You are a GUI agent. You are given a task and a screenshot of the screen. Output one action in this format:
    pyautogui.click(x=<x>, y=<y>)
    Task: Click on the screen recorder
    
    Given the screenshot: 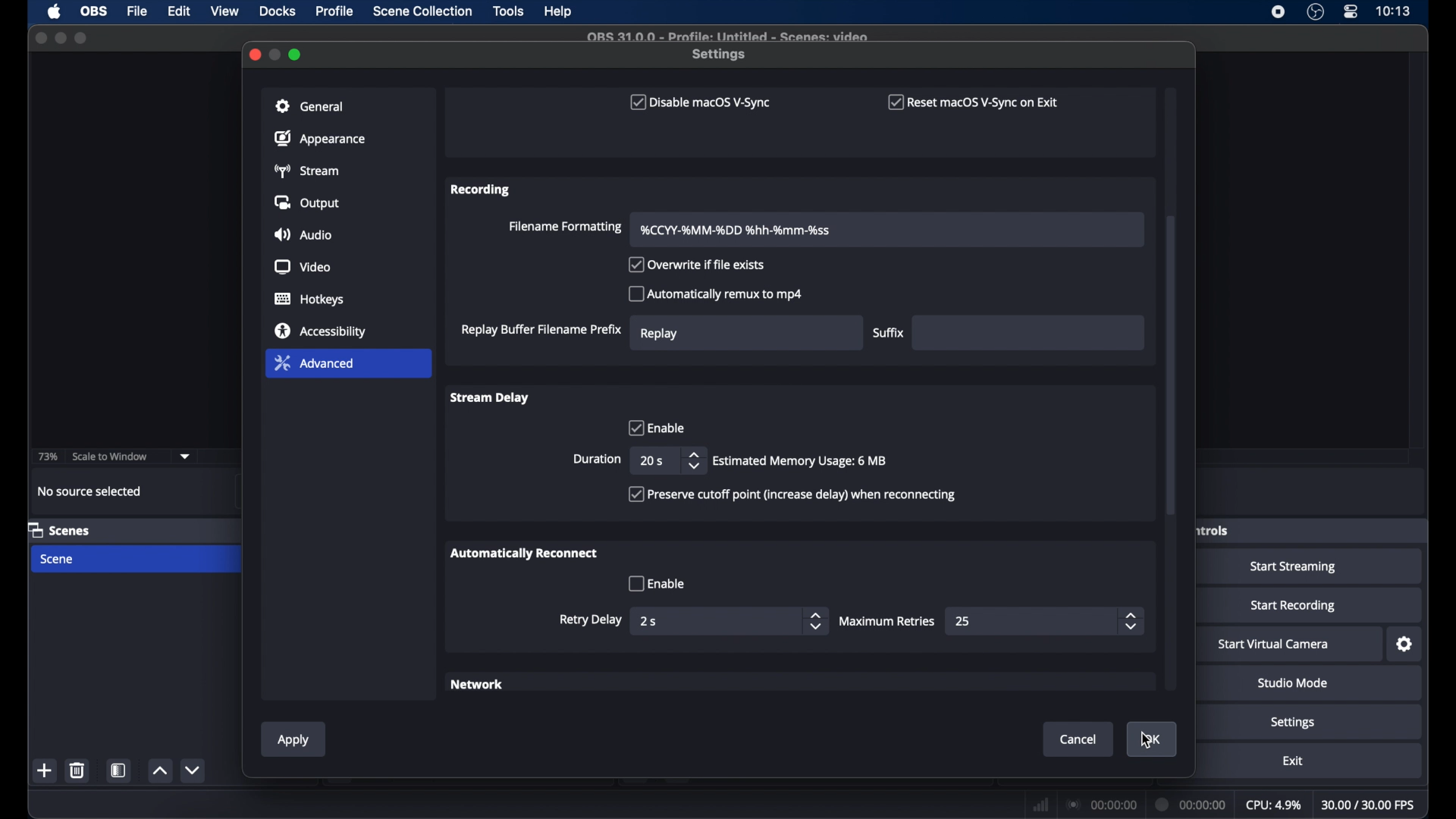 What is the action you would take?
    pyautogui.click(x=1277, y=12)
    